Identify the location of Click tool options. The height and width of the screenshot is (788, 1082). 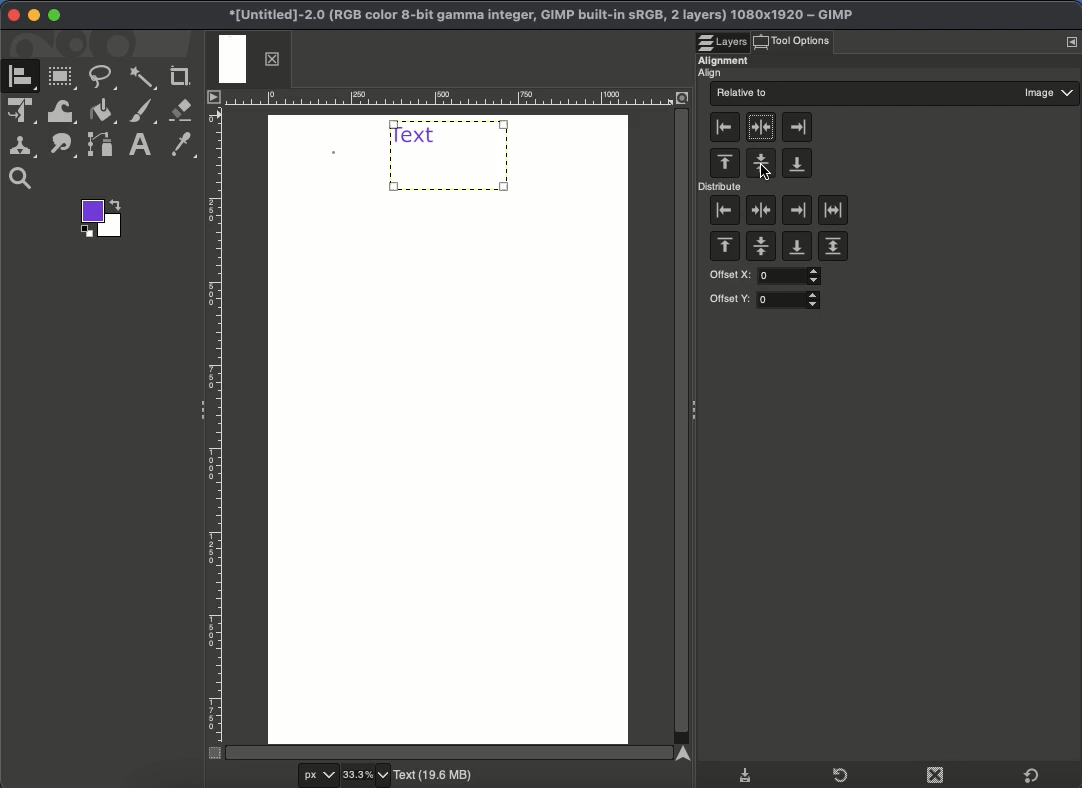
(805, 41).